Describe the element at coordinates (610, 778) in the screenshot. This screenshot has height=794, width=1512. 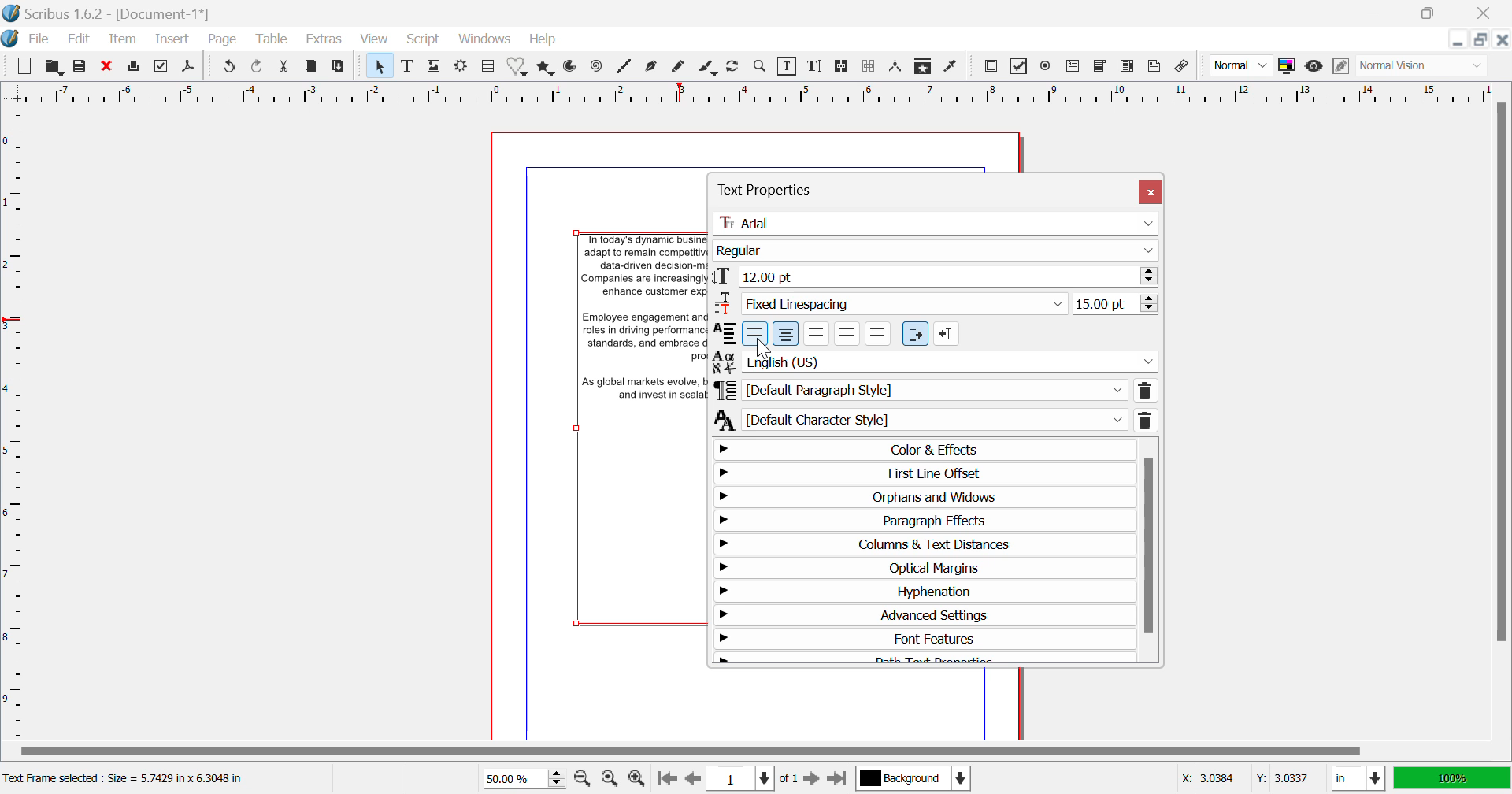
I see `Zoom to 100%` at that location.